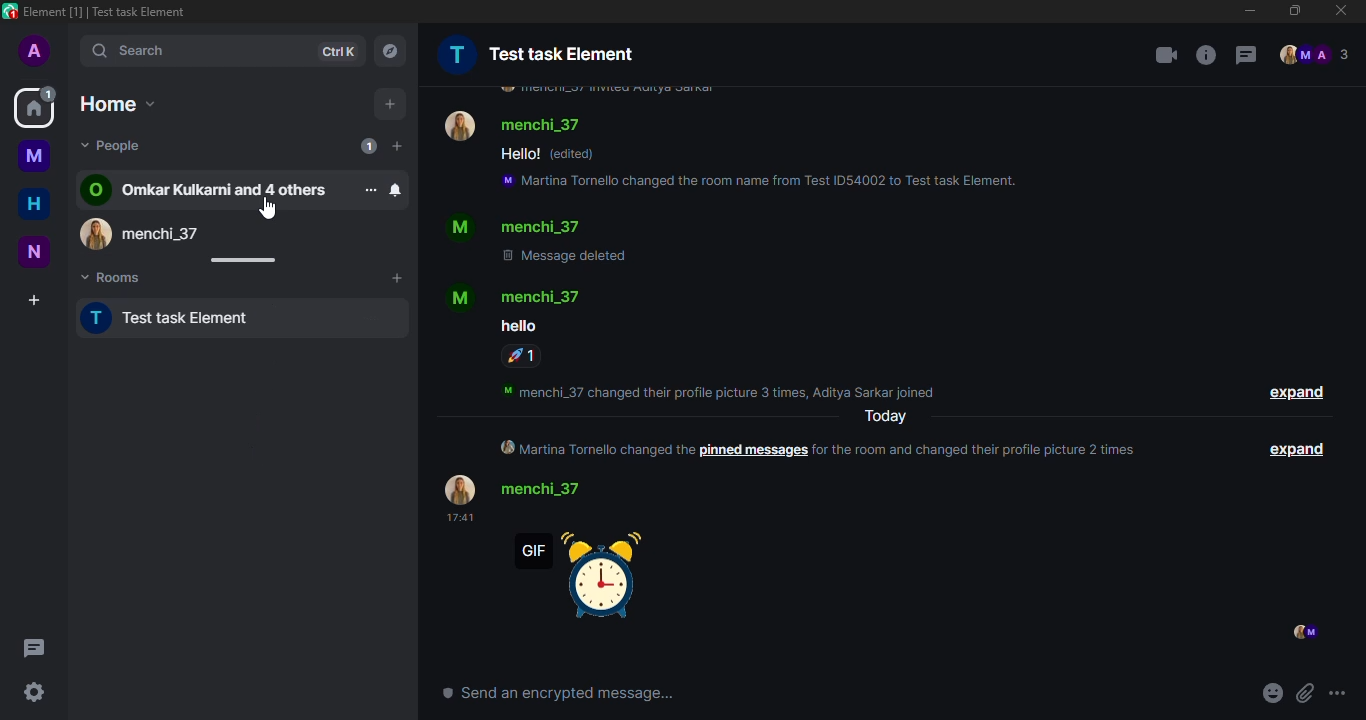  Describe the element at coordinates (719, 392) in the screenshot. I see `menchi_37 changed their profile picture 3 times, aditya sarkar joined` at that location.